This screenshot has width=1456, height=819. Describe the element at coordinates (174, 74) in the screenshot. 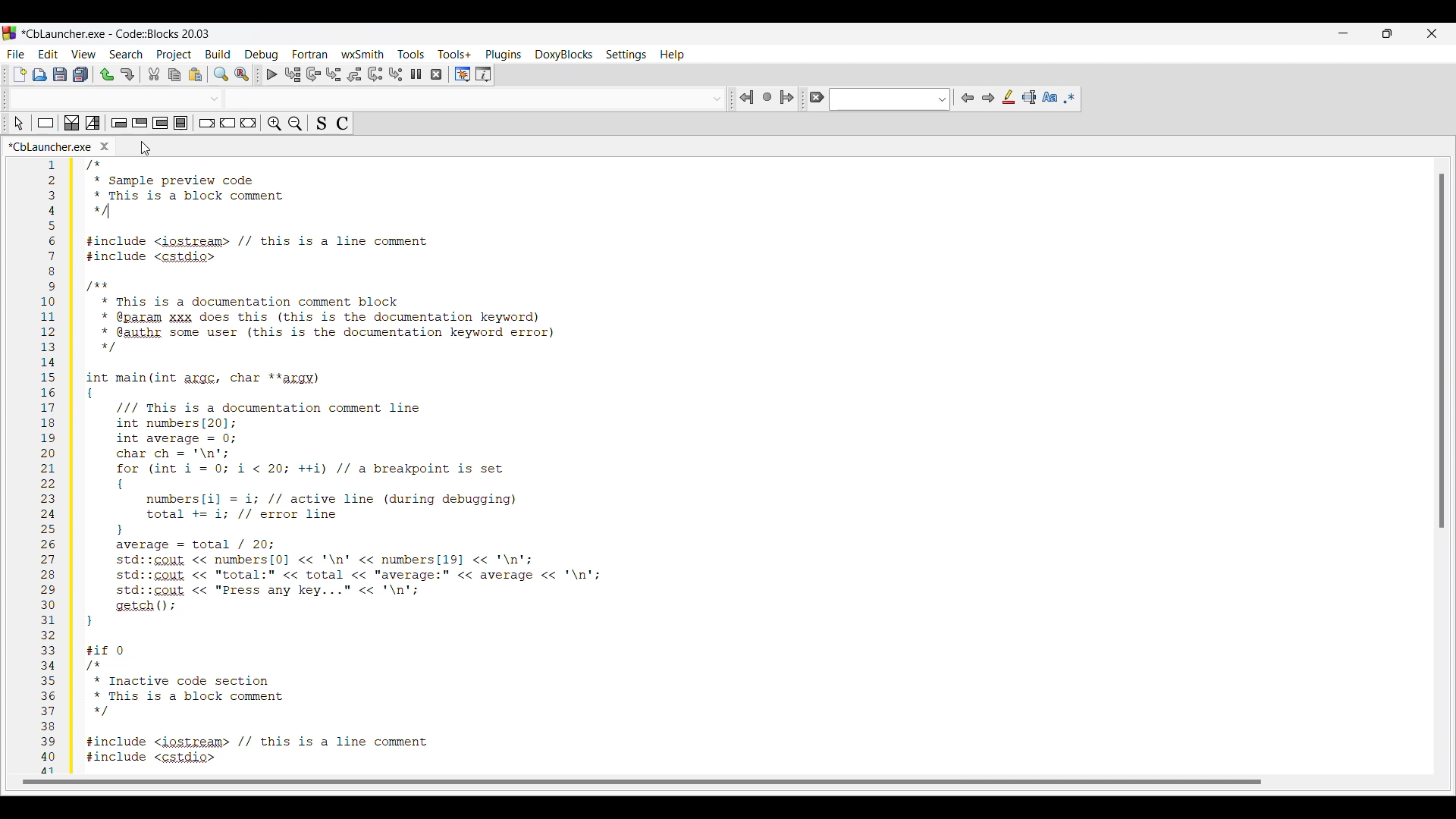

I see `Copy` at that location.